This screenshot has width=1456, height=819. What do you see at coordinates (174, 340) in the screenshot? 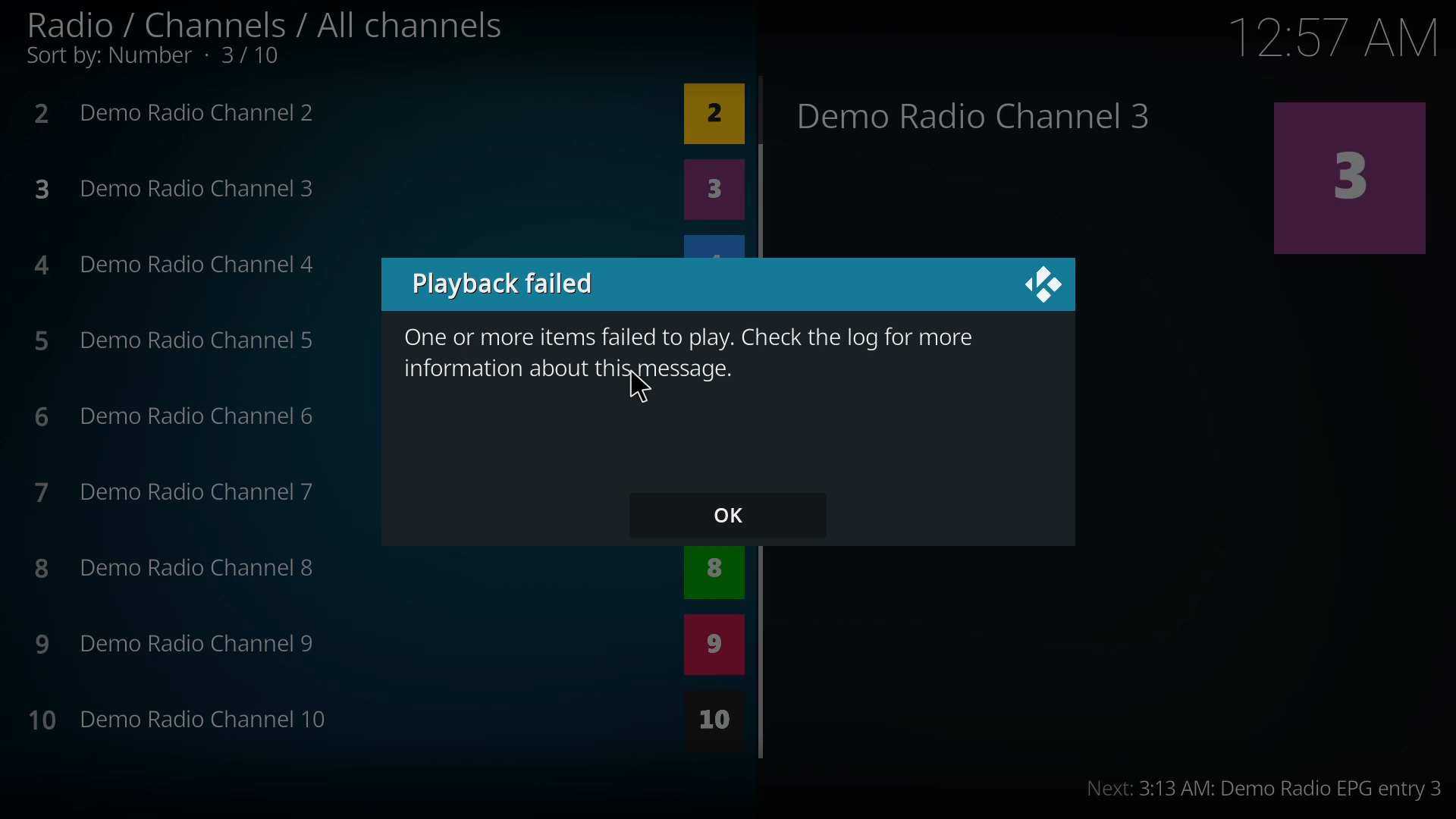
I see `5 Demo Radio Channel 5` at bounding box center [174, 340].